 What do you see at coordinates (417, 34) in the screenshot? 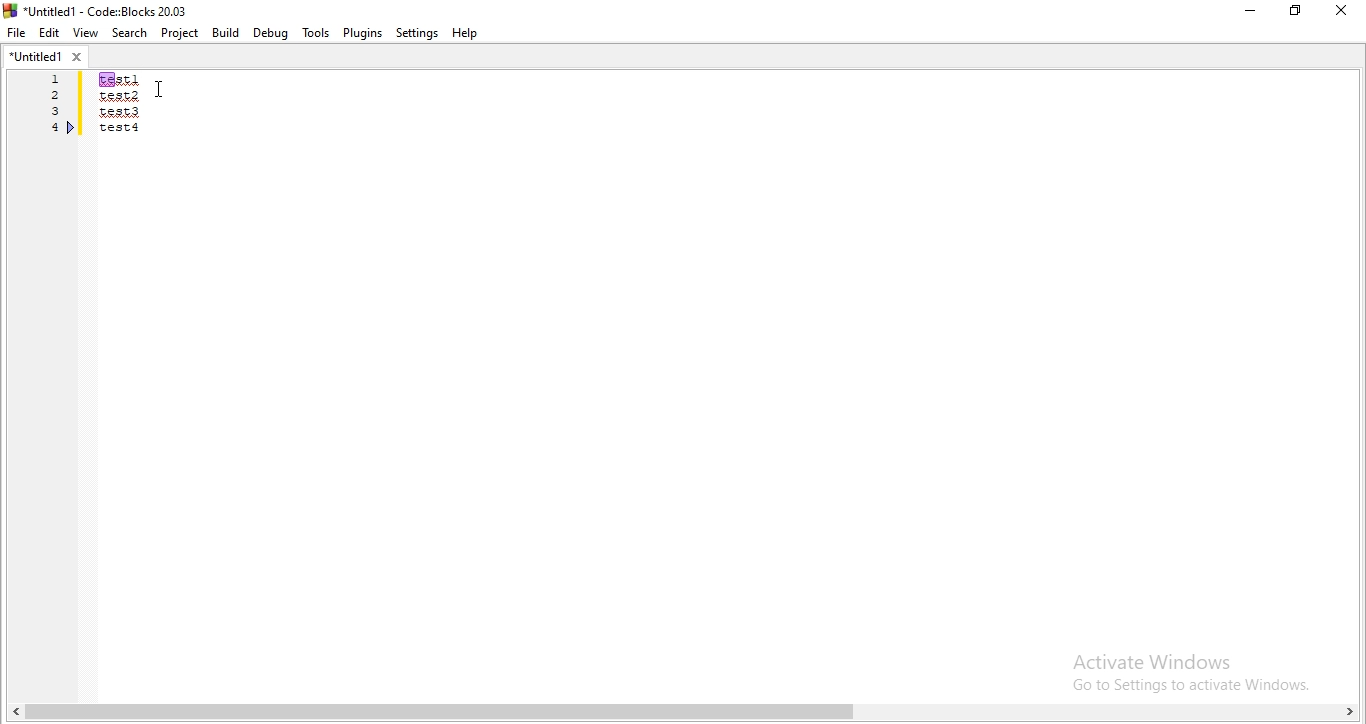
I see `Settings ` at bounding box center [417, 34].